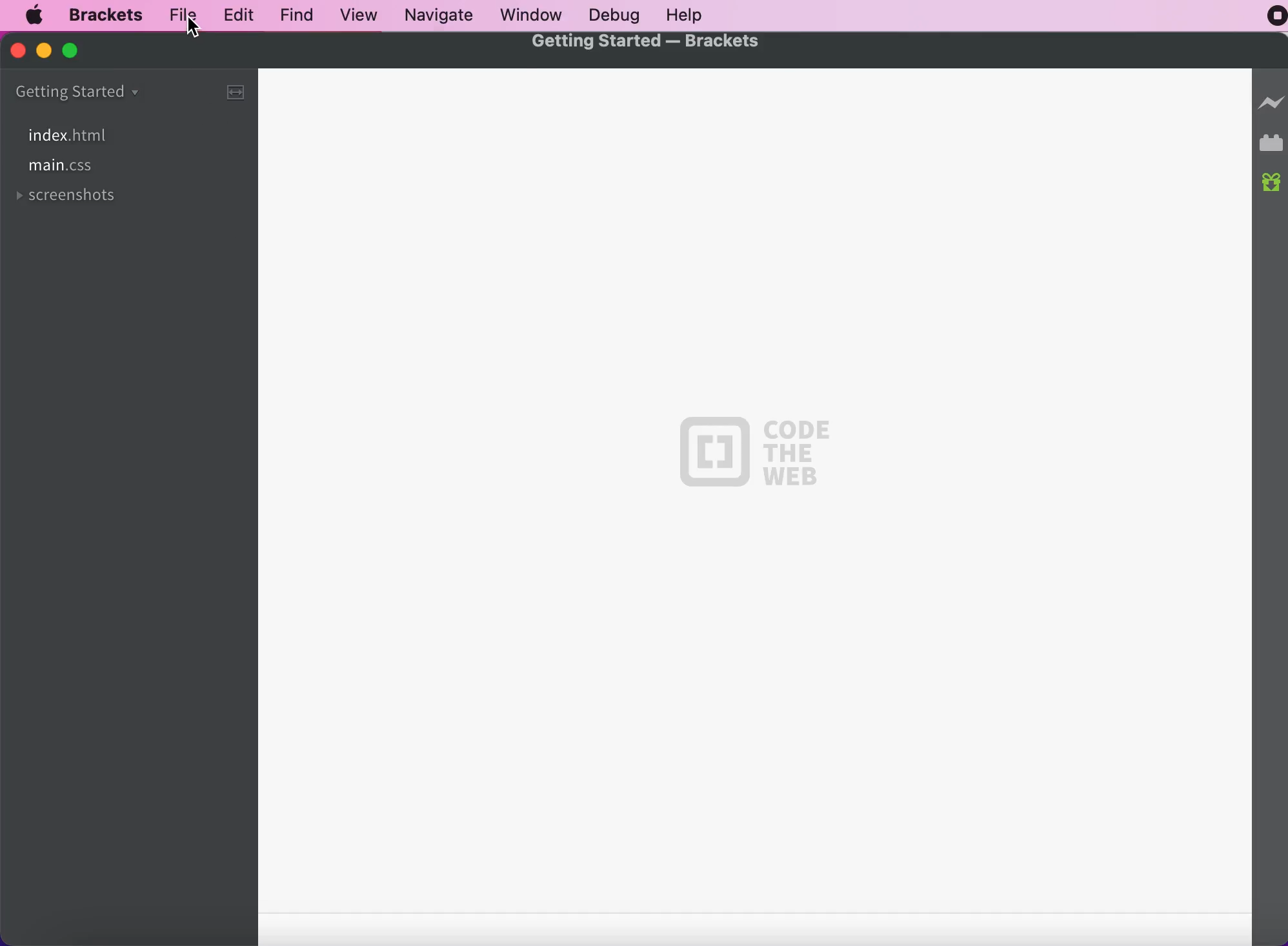  What do you see at coordinates (241, 14) in the screenshot?
I see `edit` at bounding box center [241, 14].